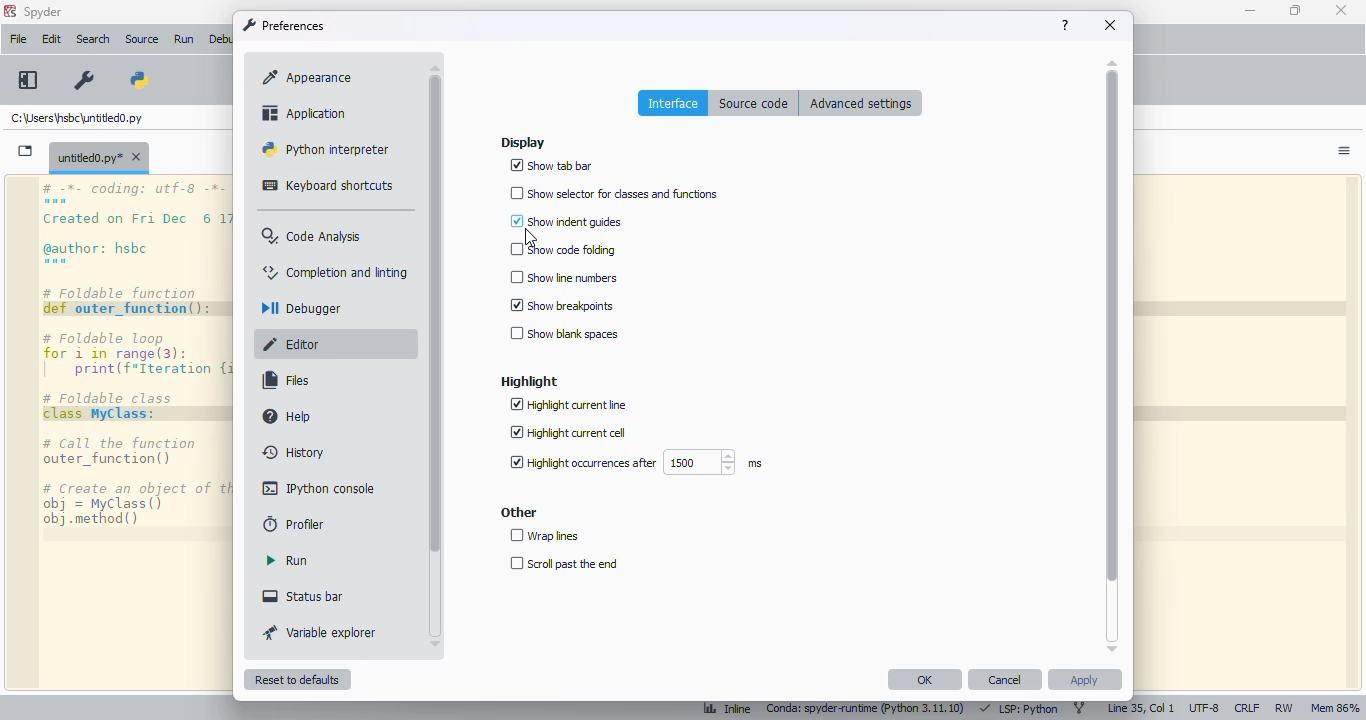 This screenshot has width=1366, height=720. I want to click on highlight current cell, so click(567, 433).